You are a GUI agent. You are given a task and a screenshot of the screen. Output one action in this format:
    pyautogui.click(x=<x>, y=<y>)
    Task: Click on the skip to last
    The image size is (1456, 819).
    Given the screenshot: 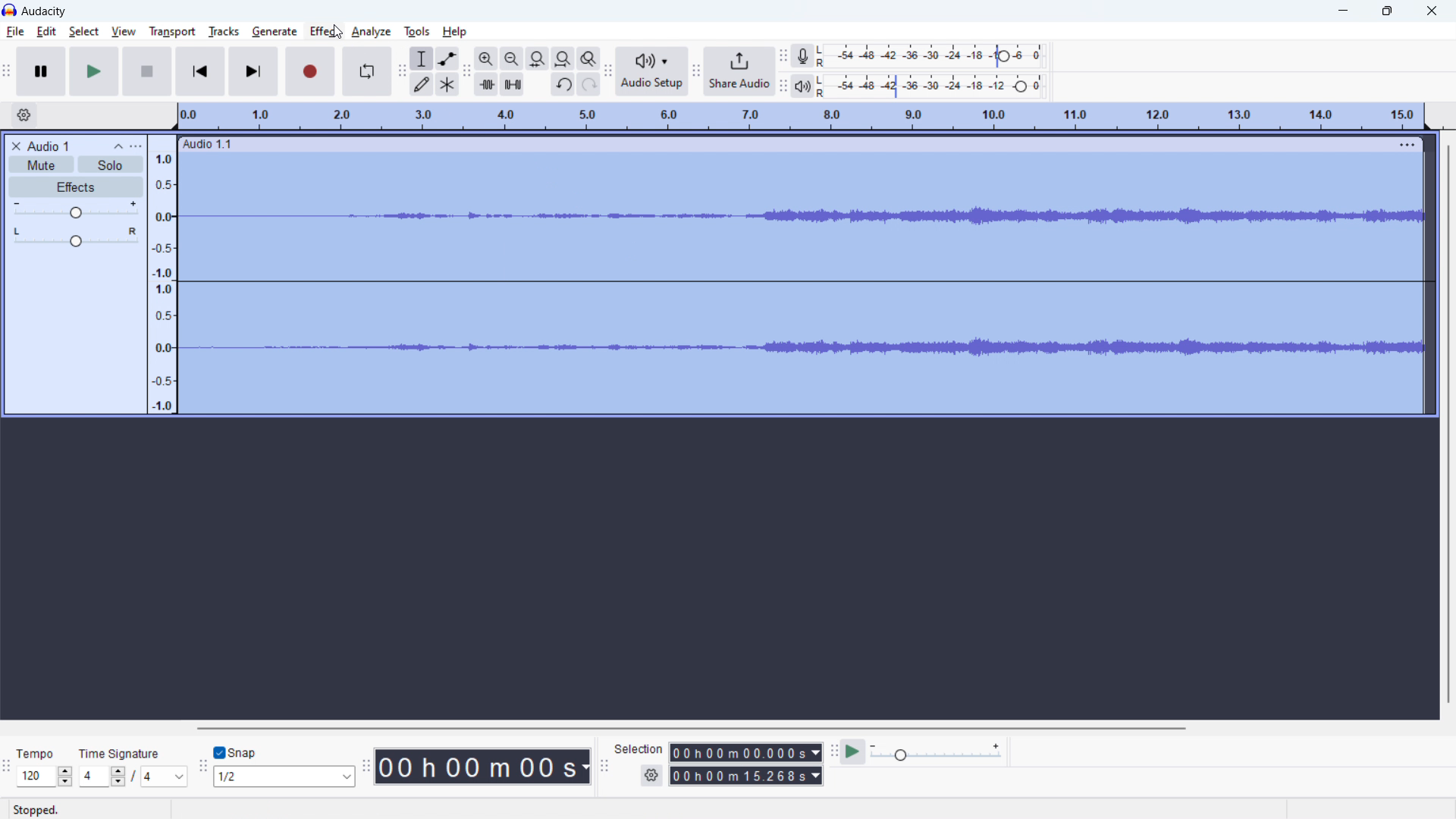 What is the action you would take?
    pyautogui.click(x=254, y=72)
    